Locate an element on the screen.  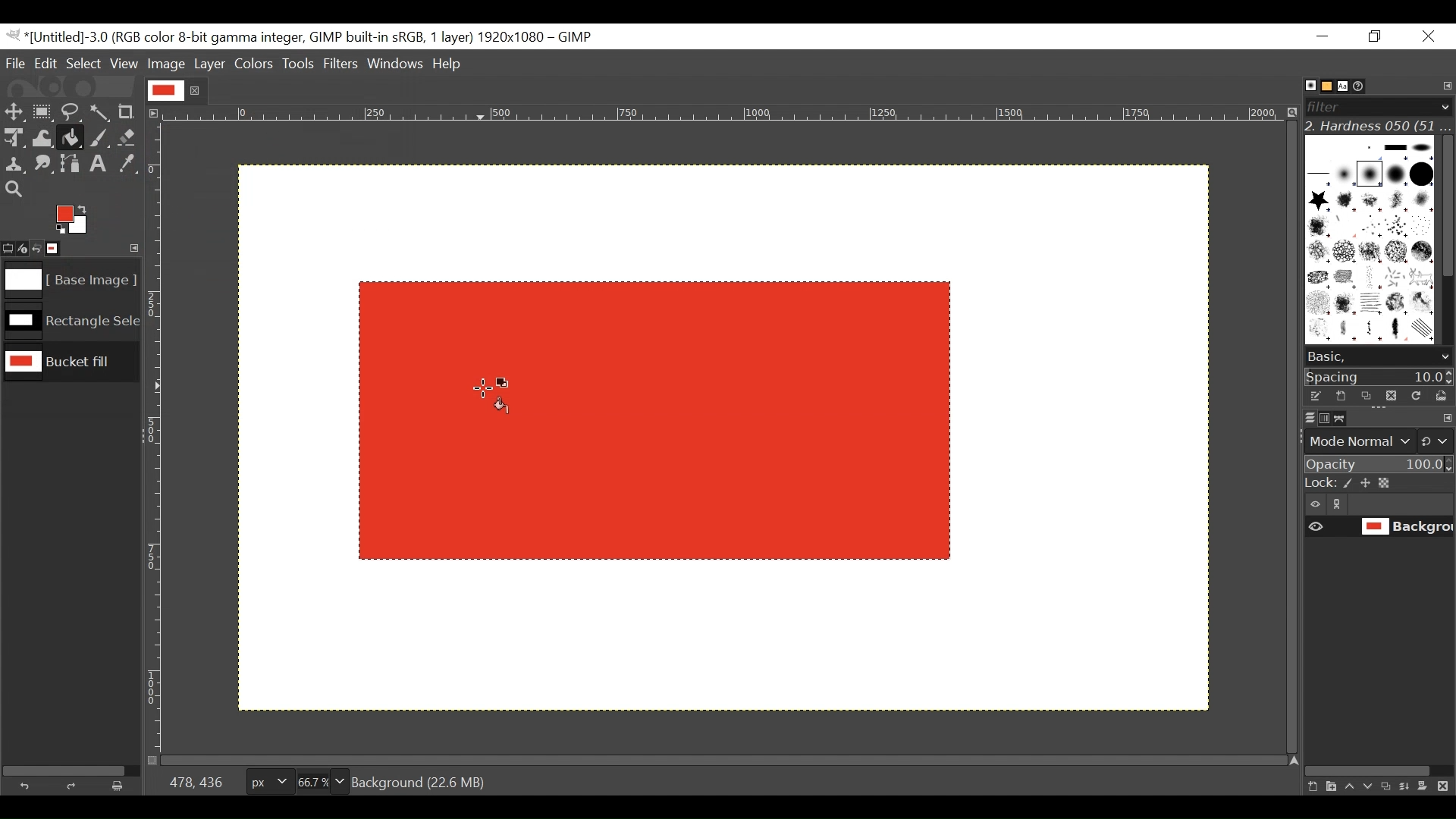
Refresh is located at coordinates (1414, 394).